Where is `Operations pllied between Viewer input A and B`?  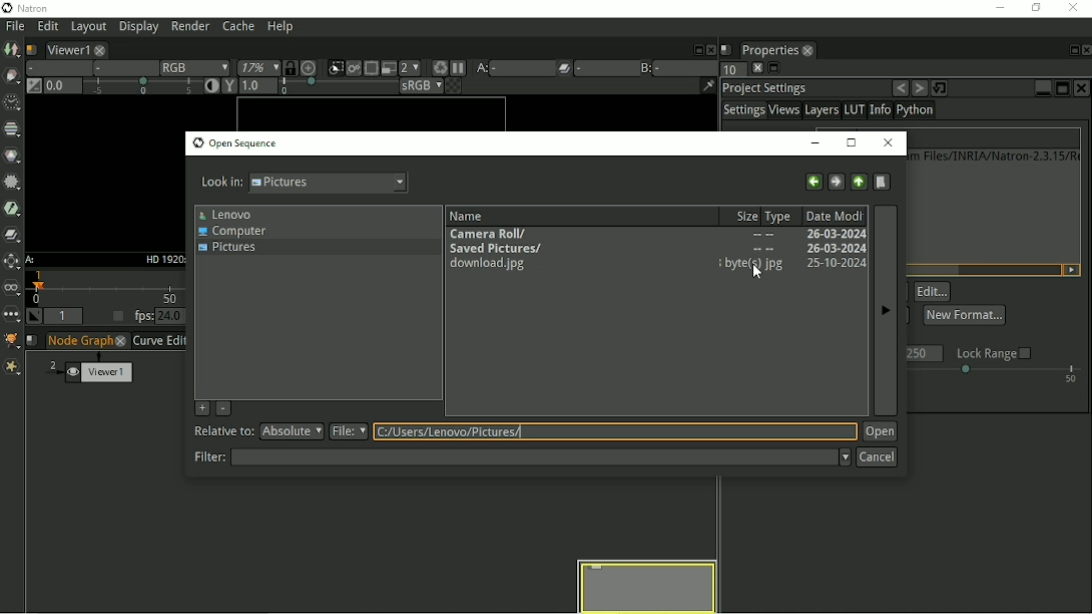
Operations pllied between Viewer input A and B is located at coordinates (574, 68).